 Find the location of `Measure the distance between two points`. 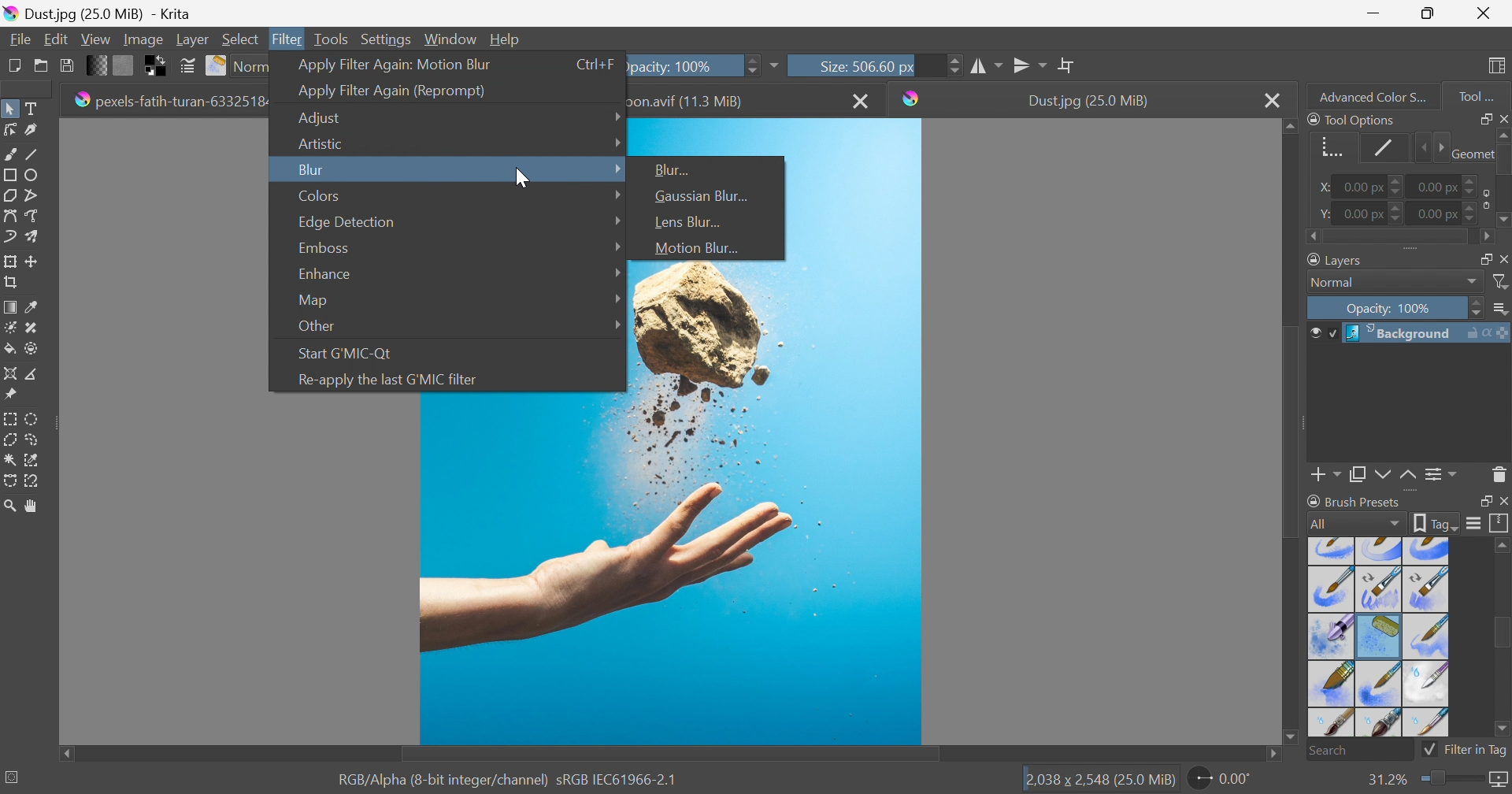

Measure the distance between two points is located at coordinates (33, 375).